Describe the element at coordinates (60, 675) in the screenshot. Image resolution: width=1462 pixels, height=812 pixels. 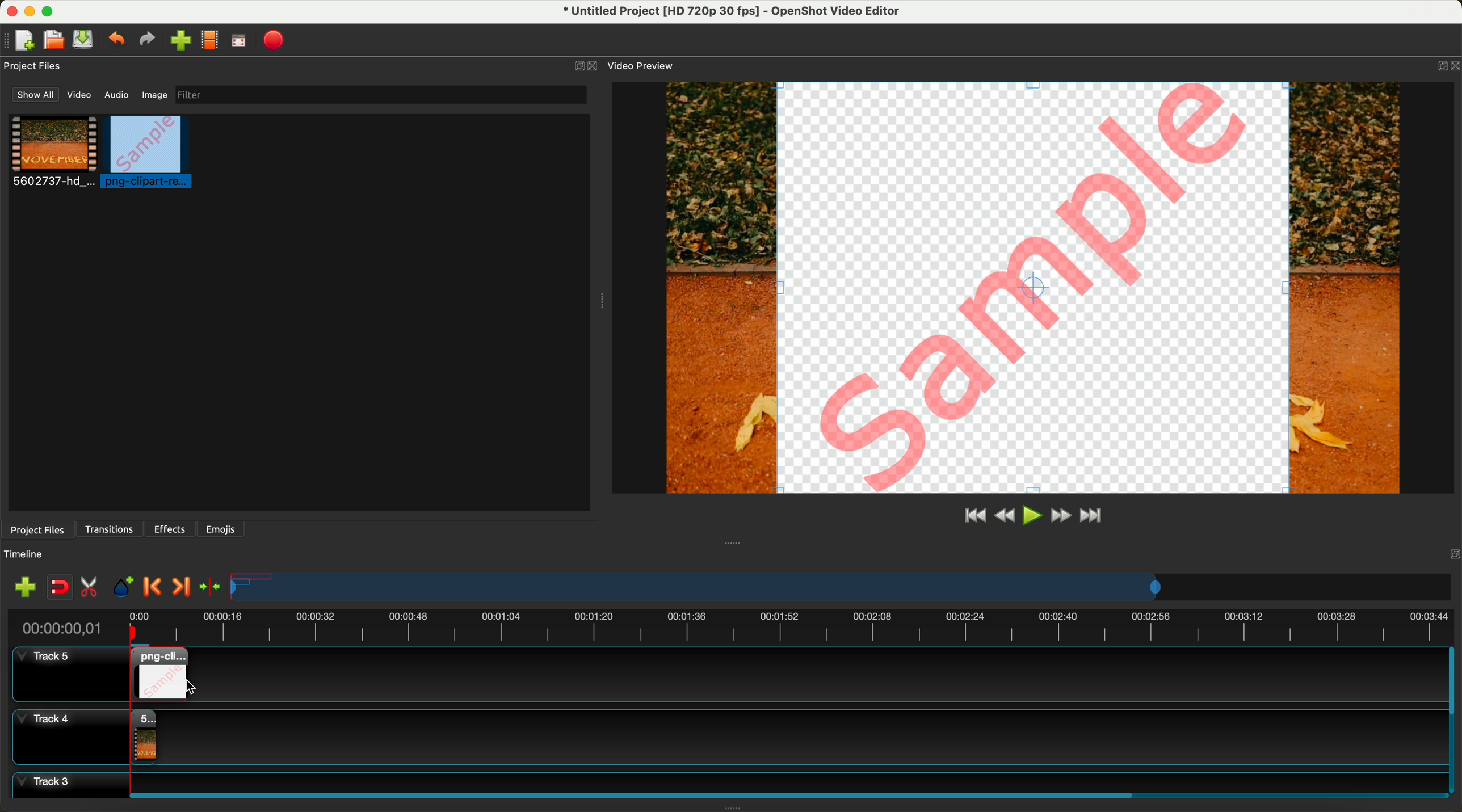
I see `track 5` at that location.